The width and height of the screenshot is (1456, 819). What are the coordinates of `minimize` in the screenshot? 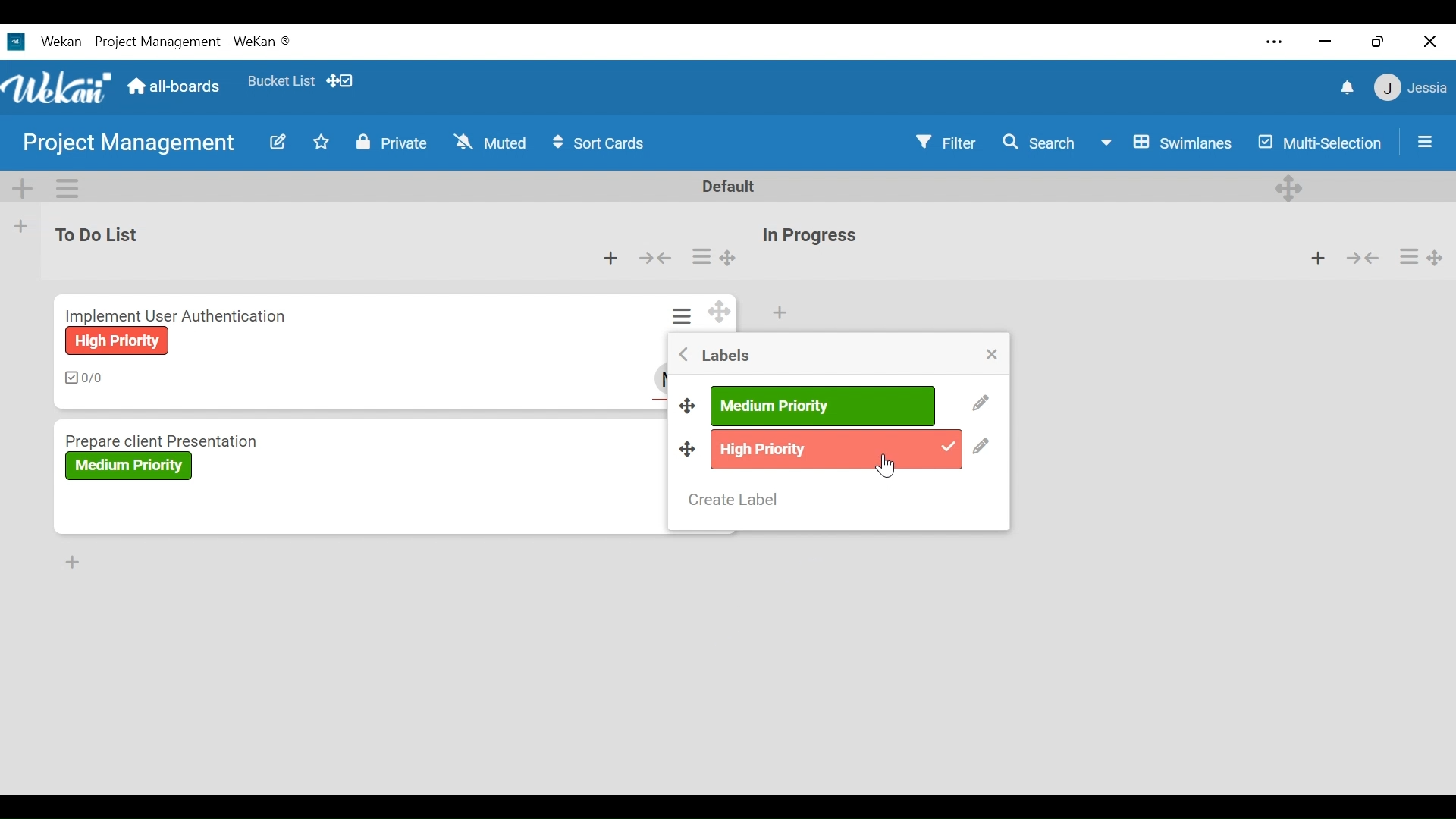 It's located at (1325, 42).